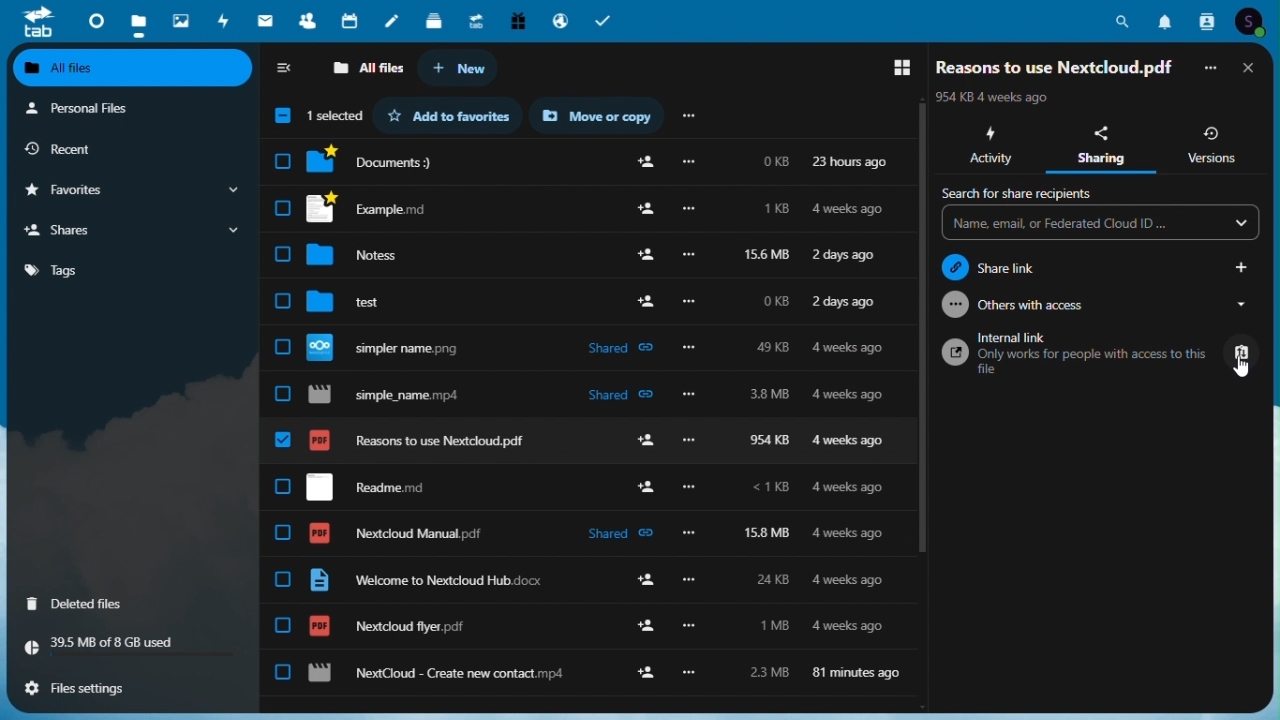 Image resolution: width=1280 pixels, height=720 pixels. I want to click on 1kb, so click(780, 208).